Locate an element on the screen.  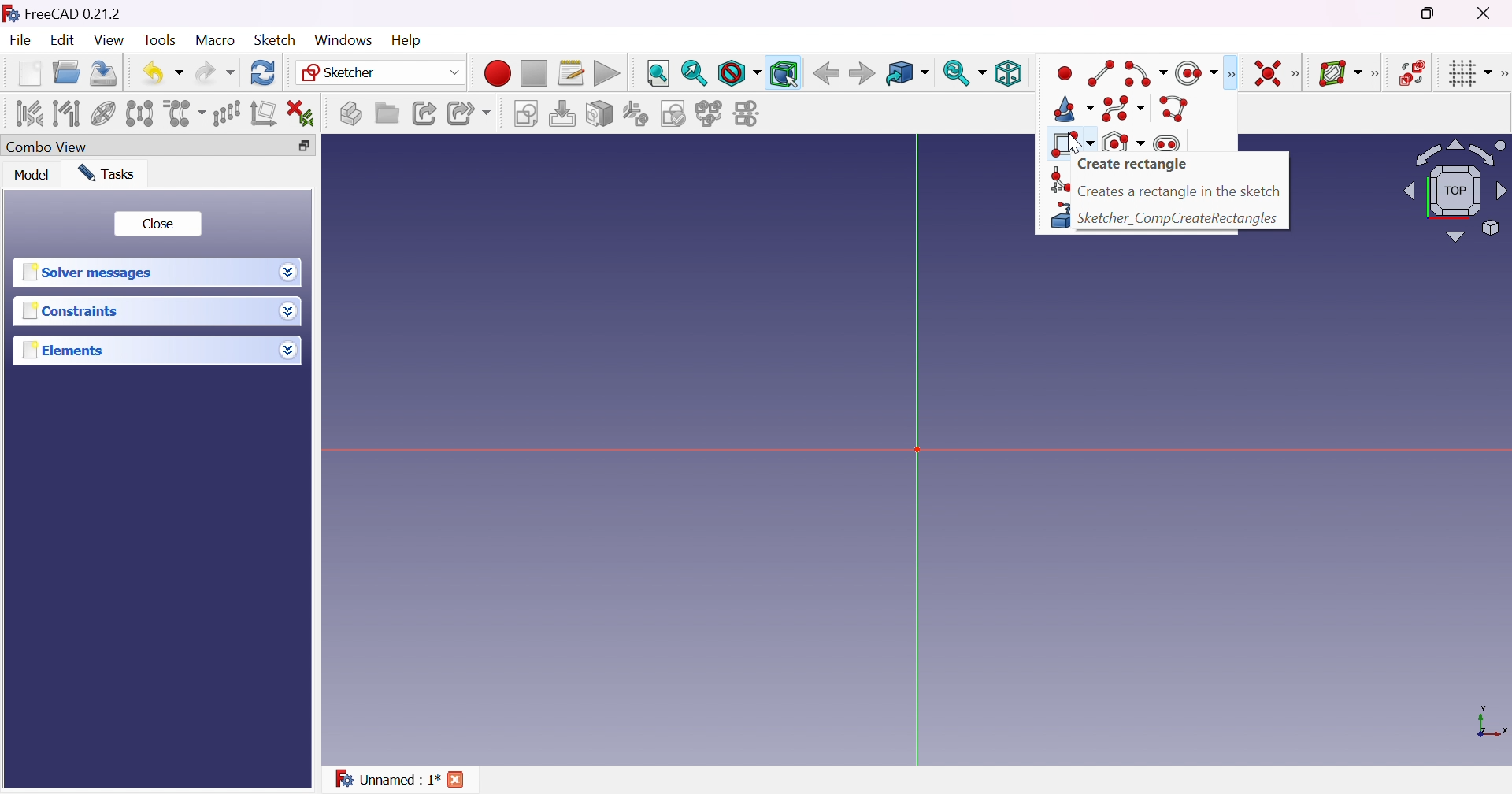
Constraints is located at coordinates (72, 310).